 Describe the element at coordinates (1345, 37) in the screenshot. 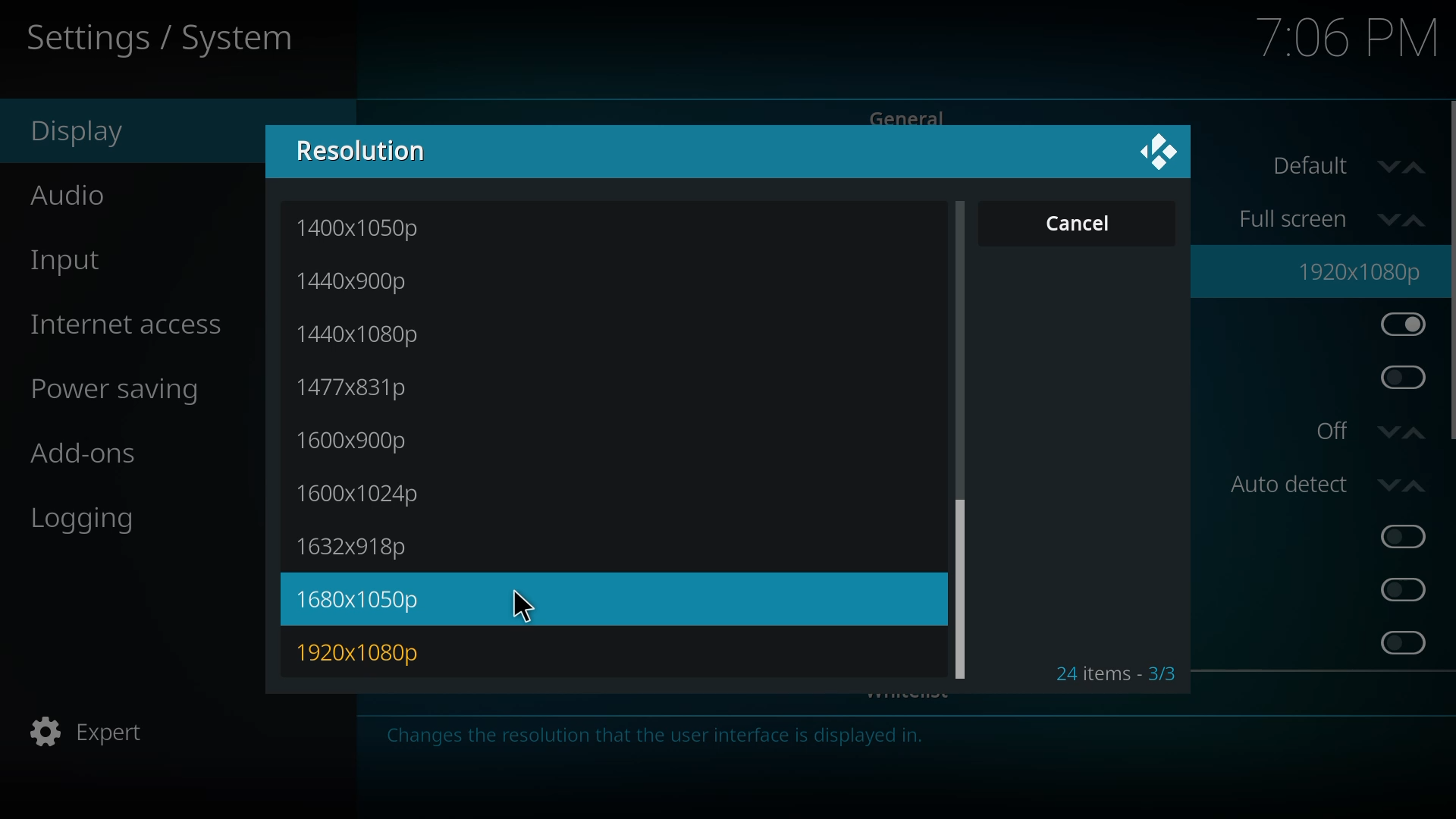

I see `time` at that location.